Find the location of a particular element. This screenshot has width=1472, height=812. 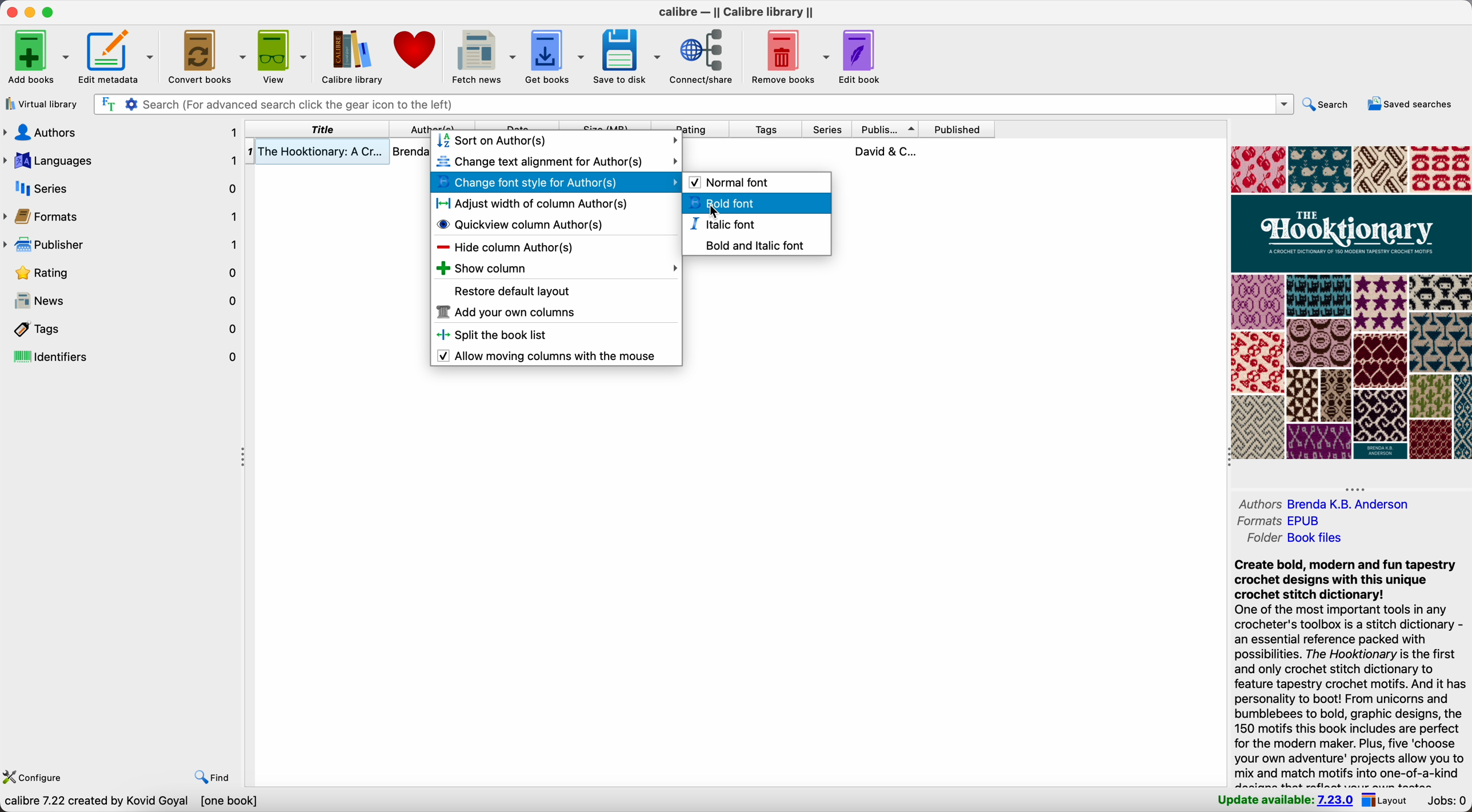

date is located at coordinates (516, 125).